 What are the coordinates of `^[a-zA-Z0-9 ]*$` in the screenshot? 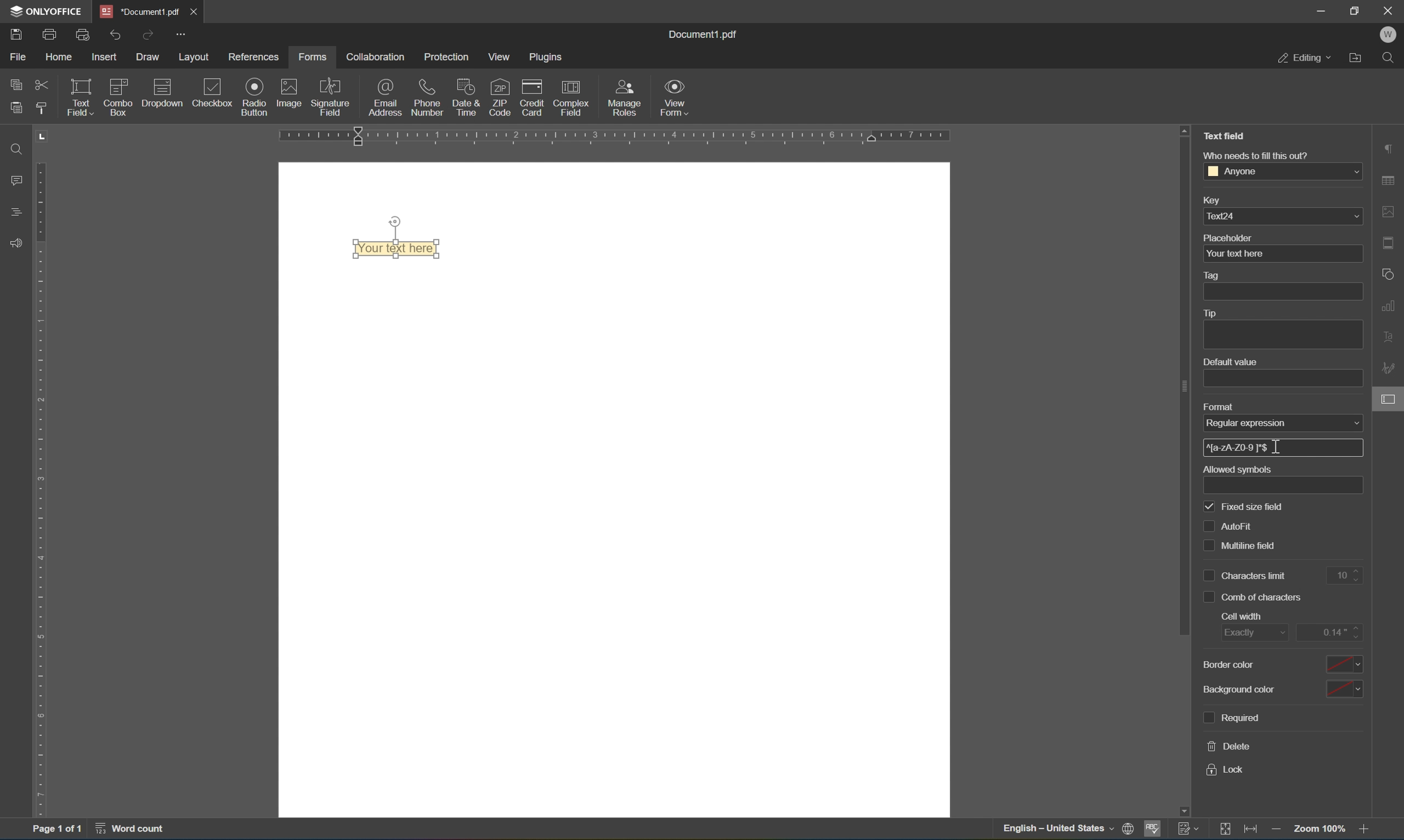 It's located at (1240, 447).